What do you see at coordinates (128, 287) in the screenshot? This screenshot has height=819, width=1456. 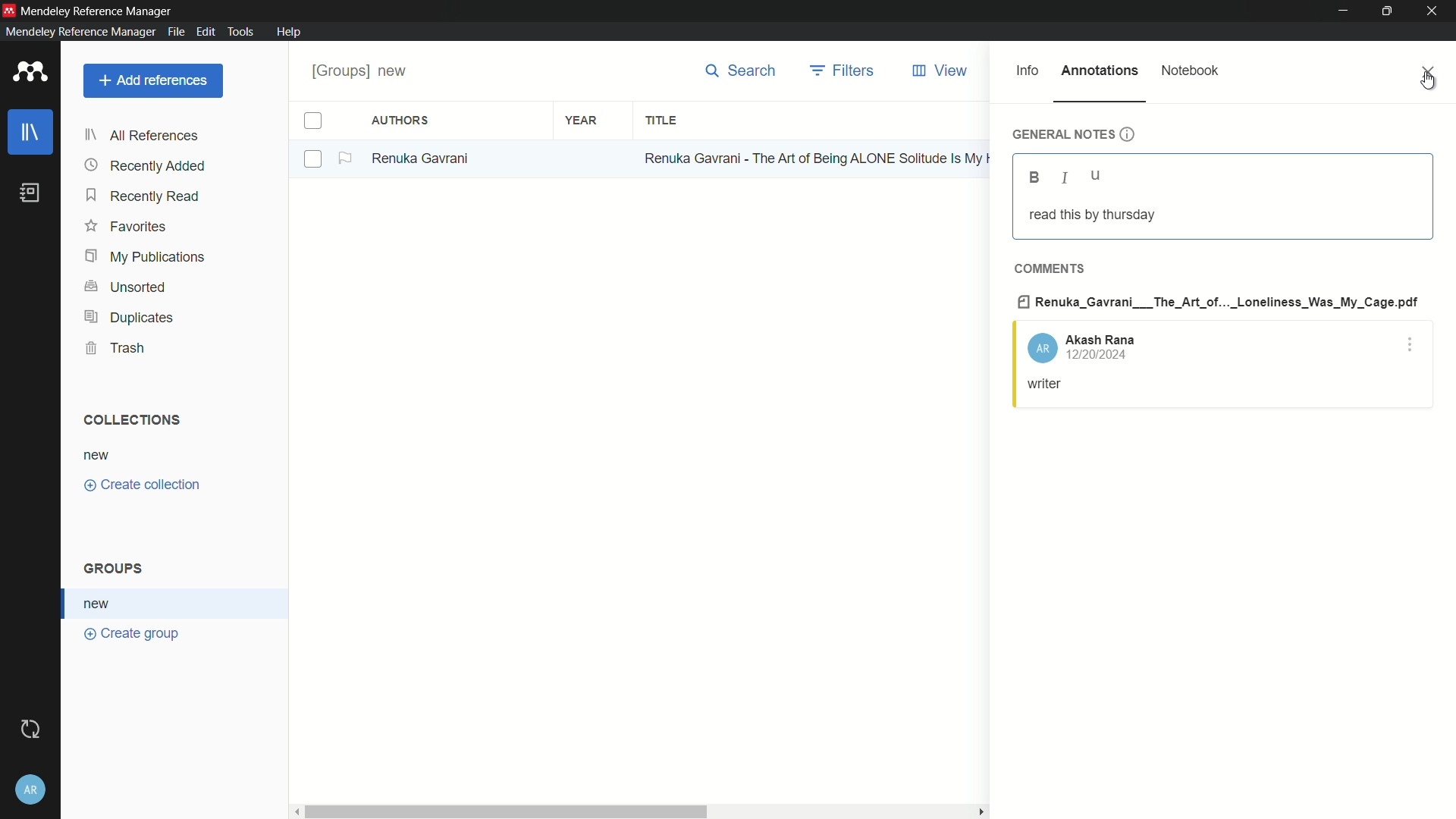 I see `unsorted` at bounding box center [128, 287].